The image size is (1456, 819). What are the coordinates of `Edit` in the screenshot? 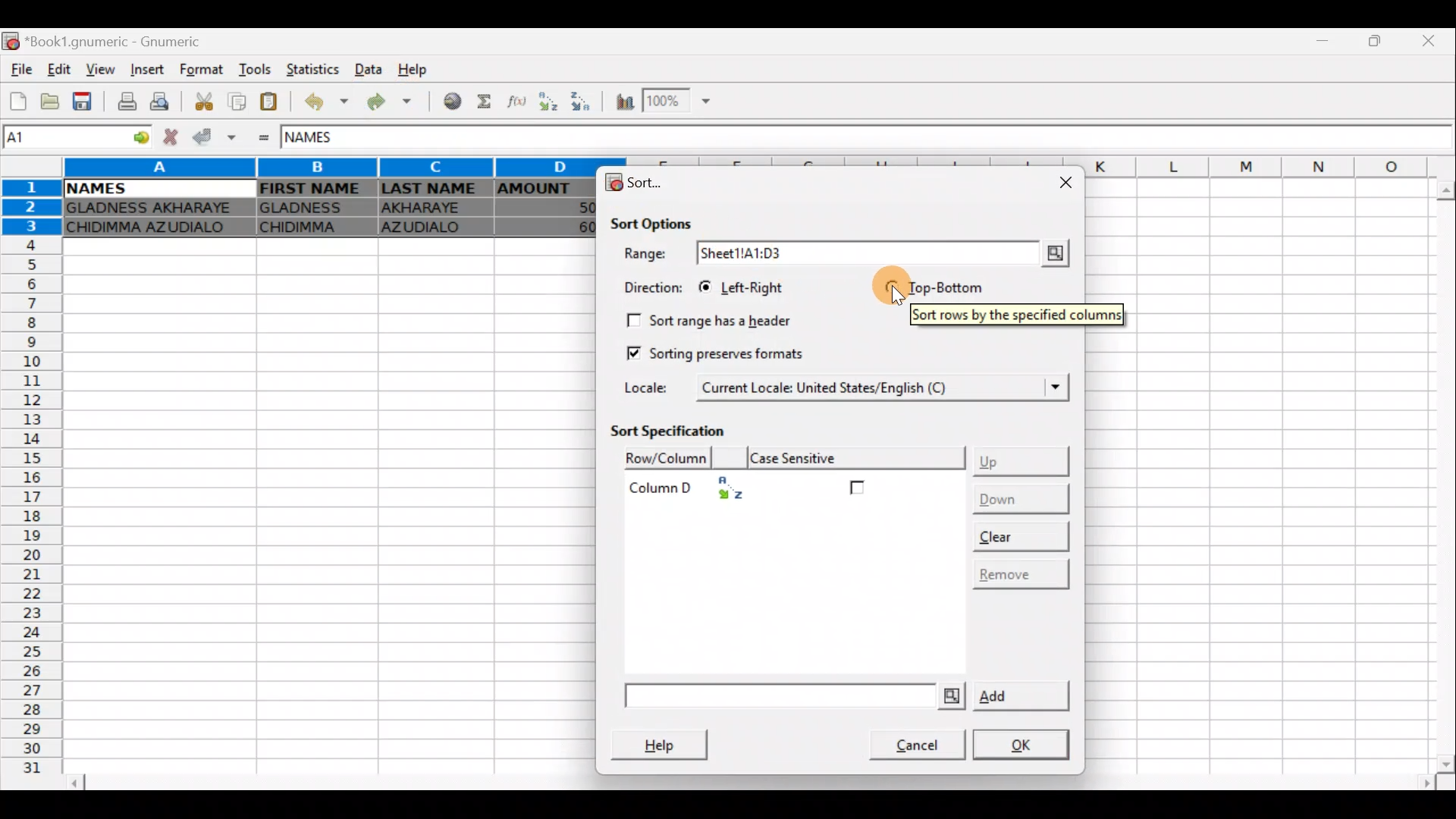 It's located at (61, 71).